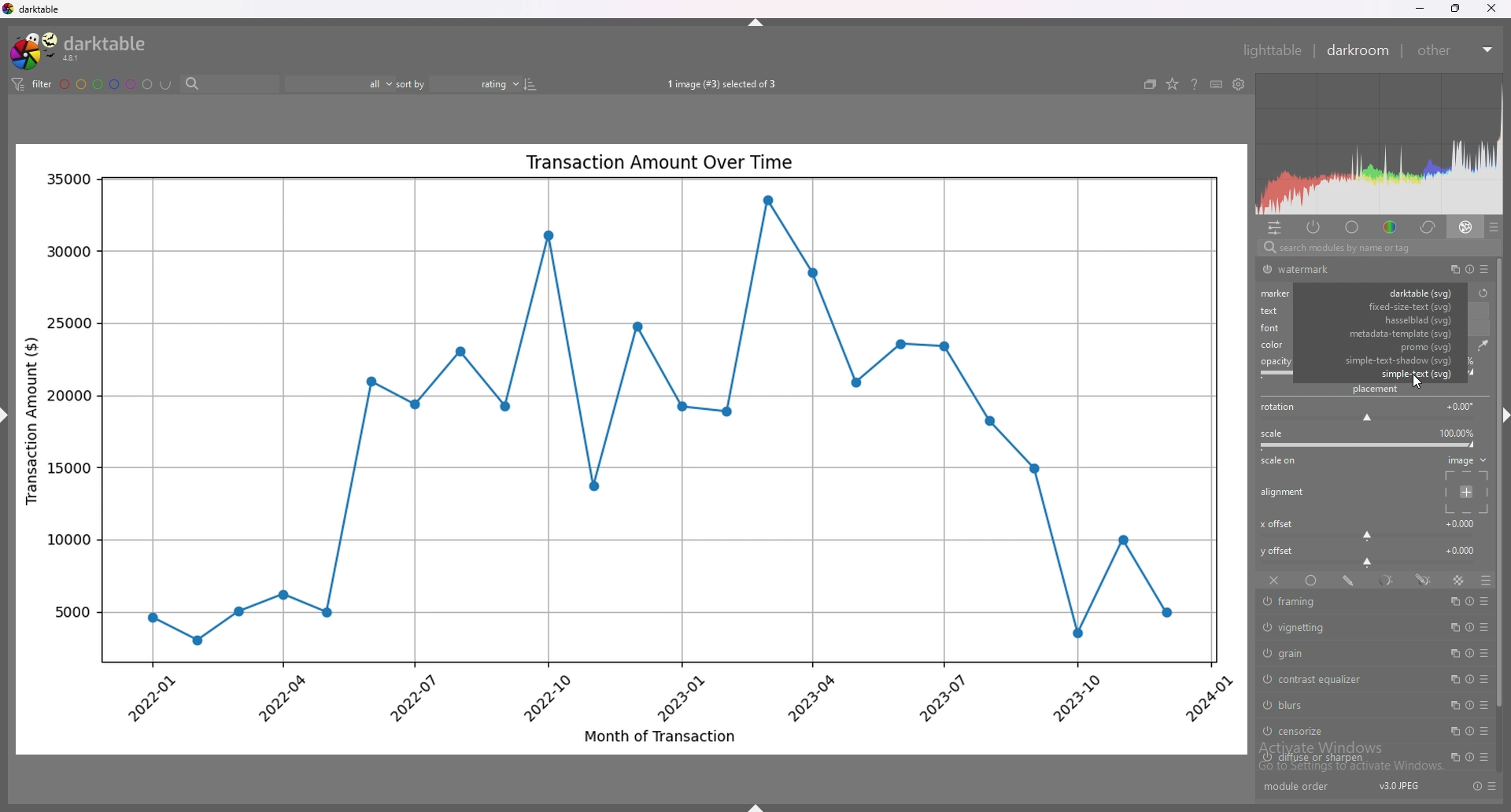 The image size is (1511, 812). Describe the element at coordinates (1272, 434) in the screenshot. I see `scale` at that location.